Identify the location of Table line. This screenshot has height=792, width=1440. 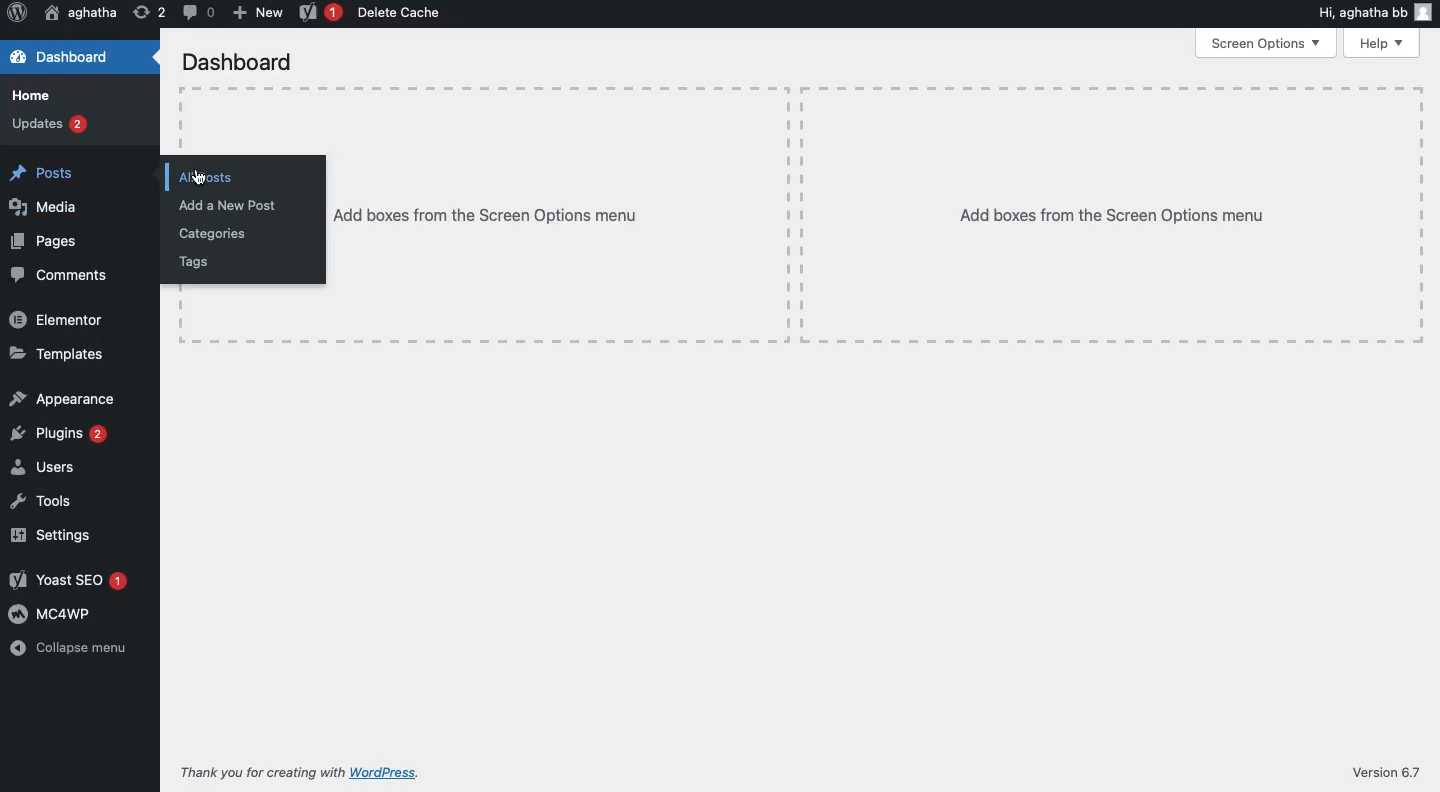
(803, 339).